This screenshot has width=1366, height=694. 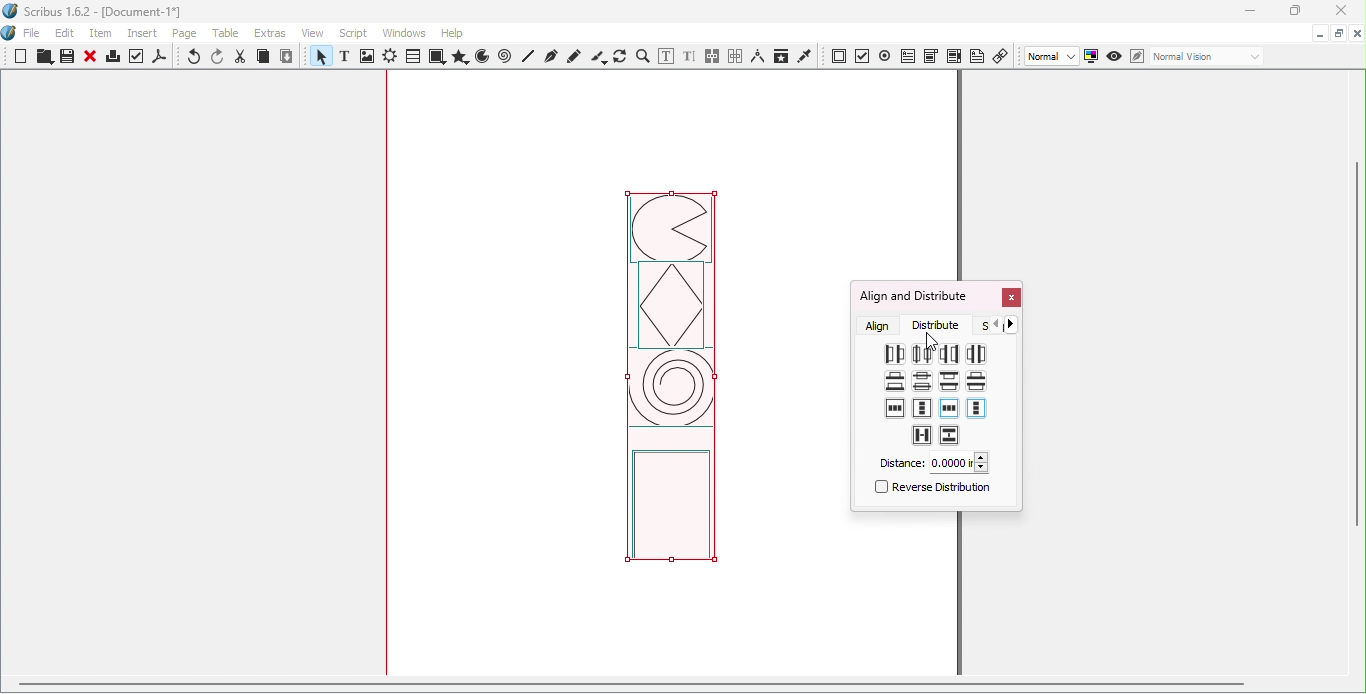 I want to click on Print, so click(x=112, y=59).